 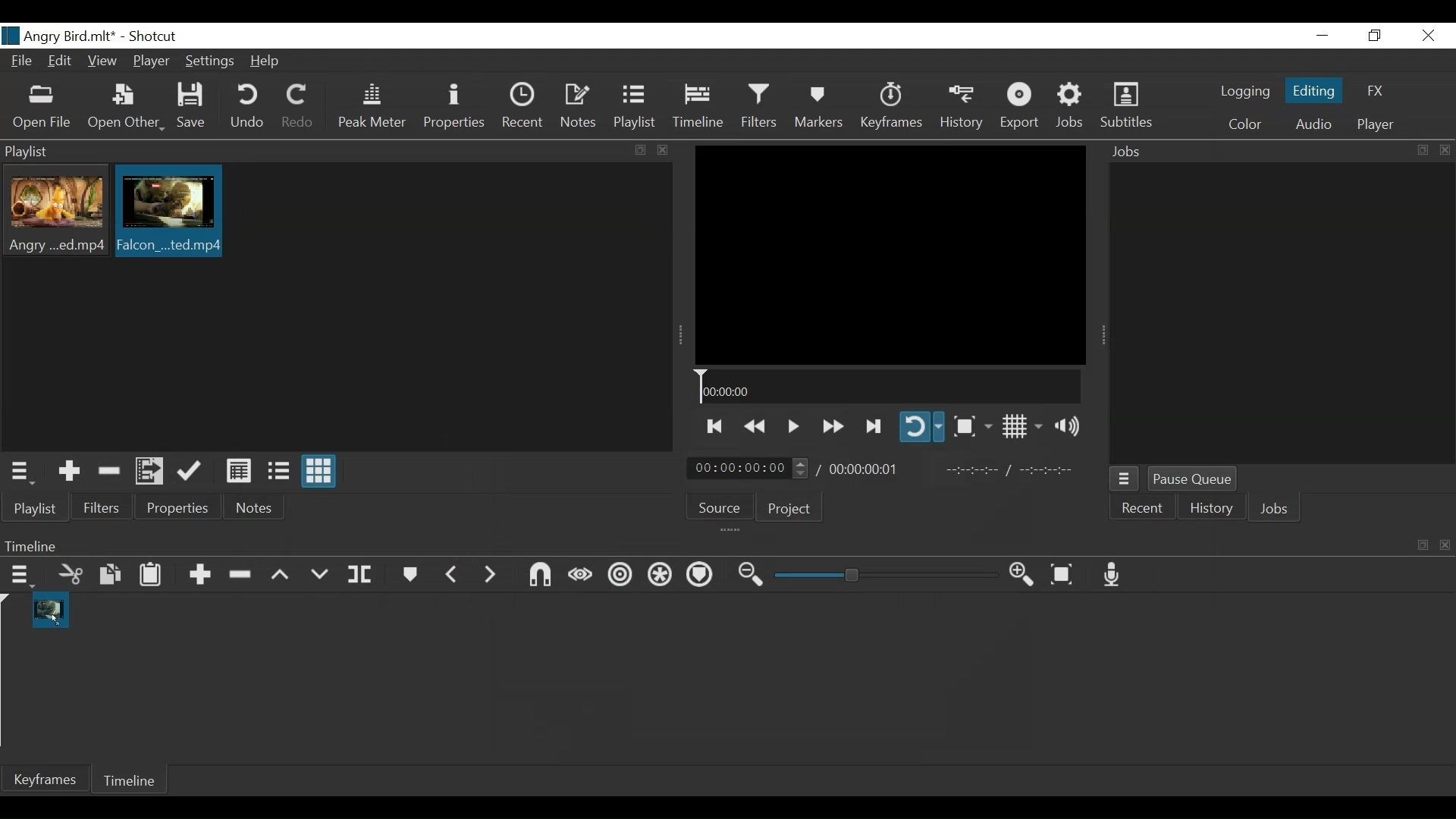 I want to click on Timeline, so click(x=698, y=544).